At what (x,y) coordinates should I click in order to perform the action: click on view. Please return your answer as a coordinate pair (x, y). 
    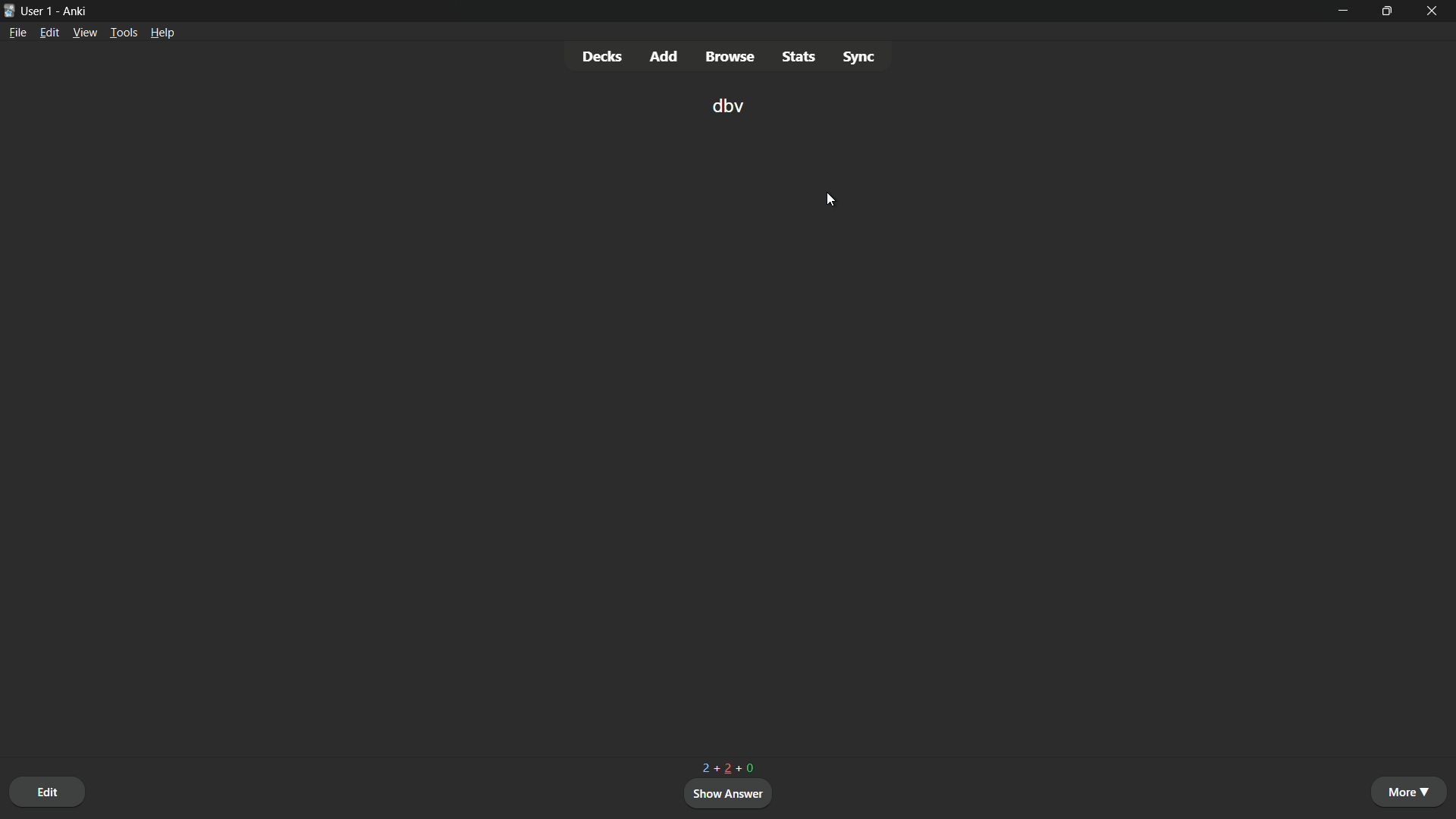
    Looking at the image, I should click on (84, 32).